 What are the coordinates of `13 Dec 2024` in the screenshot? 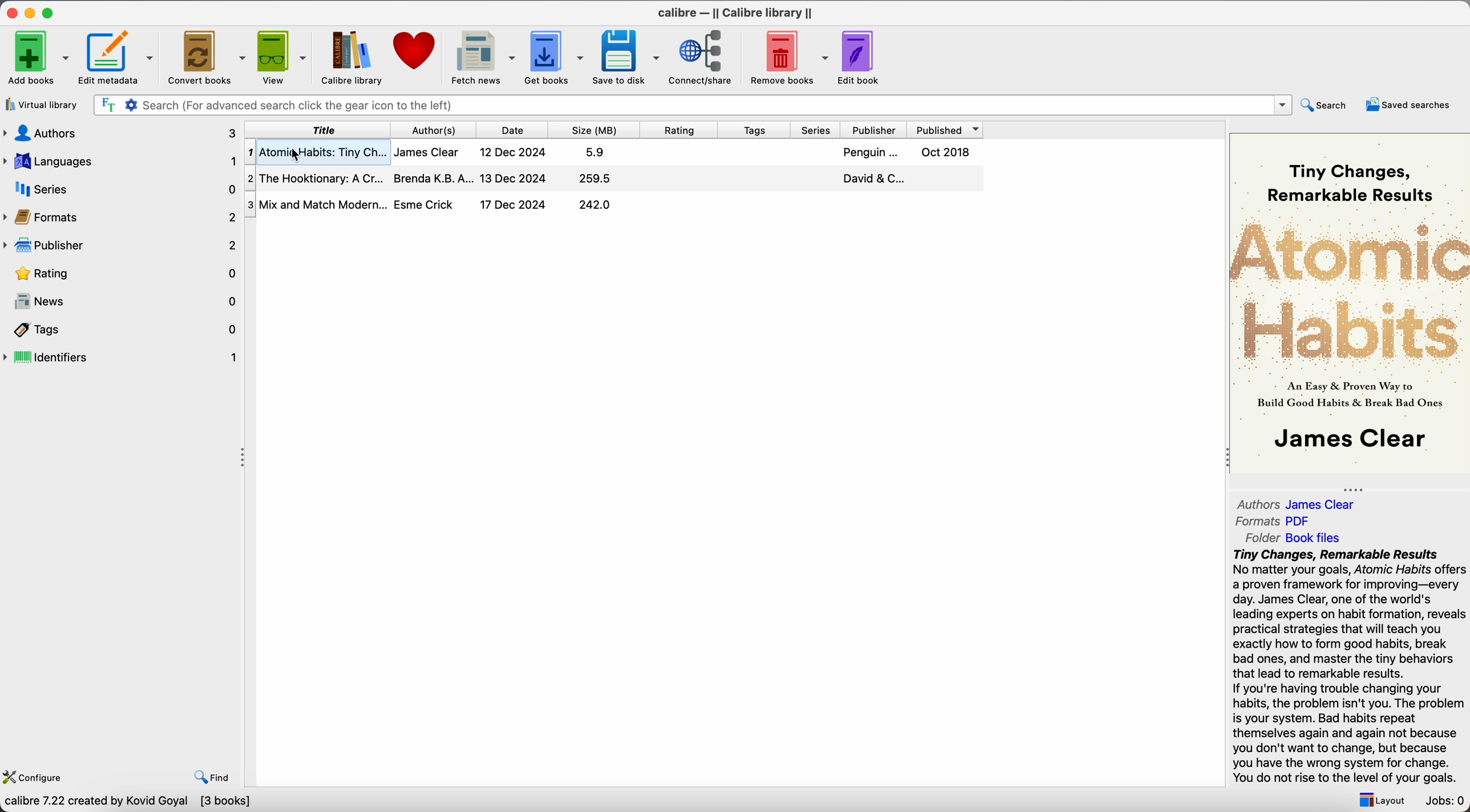 It's located at (514, 177).